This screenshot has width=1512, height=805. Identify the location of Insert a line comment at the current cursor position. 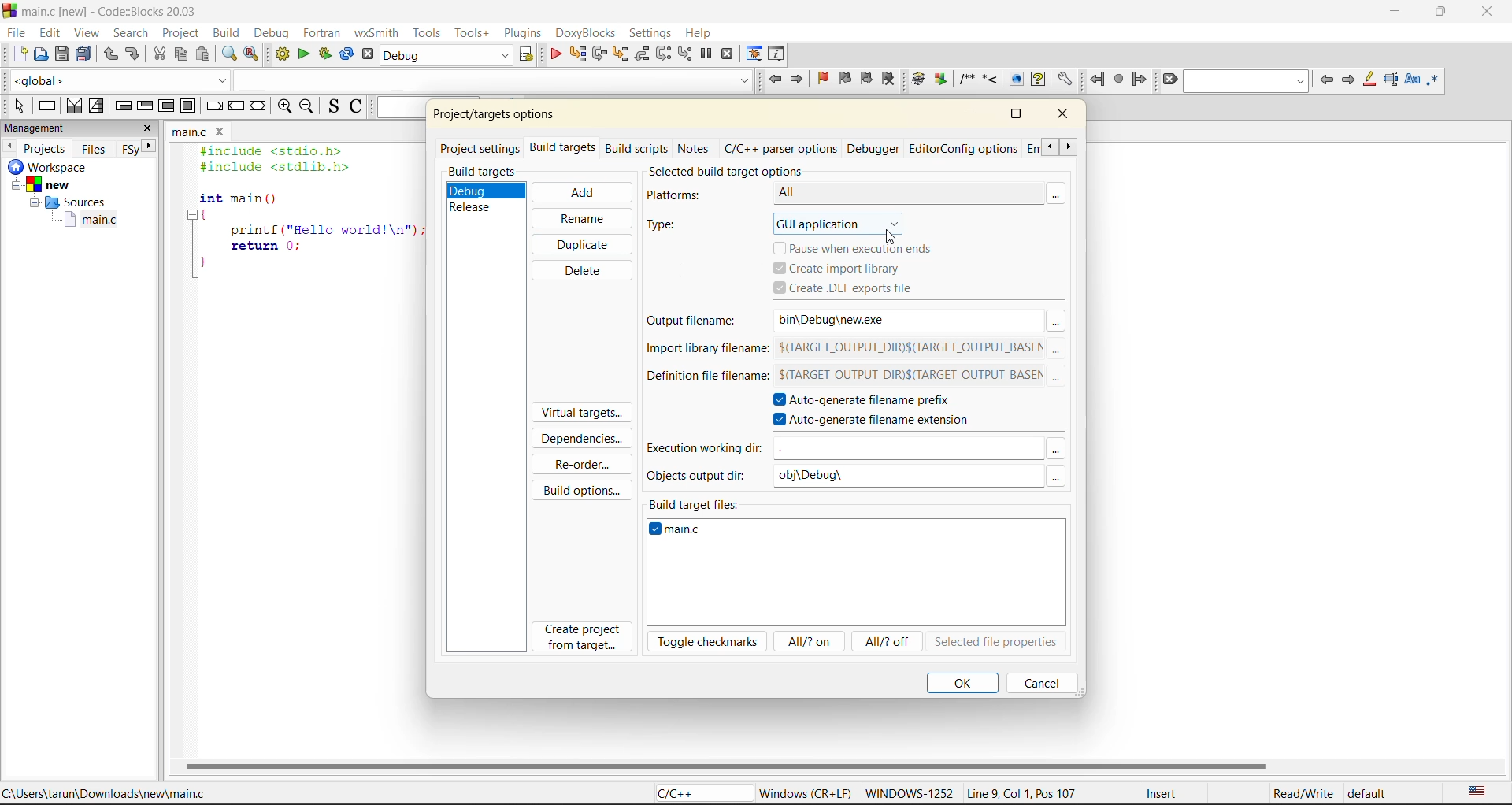
(990, 79).